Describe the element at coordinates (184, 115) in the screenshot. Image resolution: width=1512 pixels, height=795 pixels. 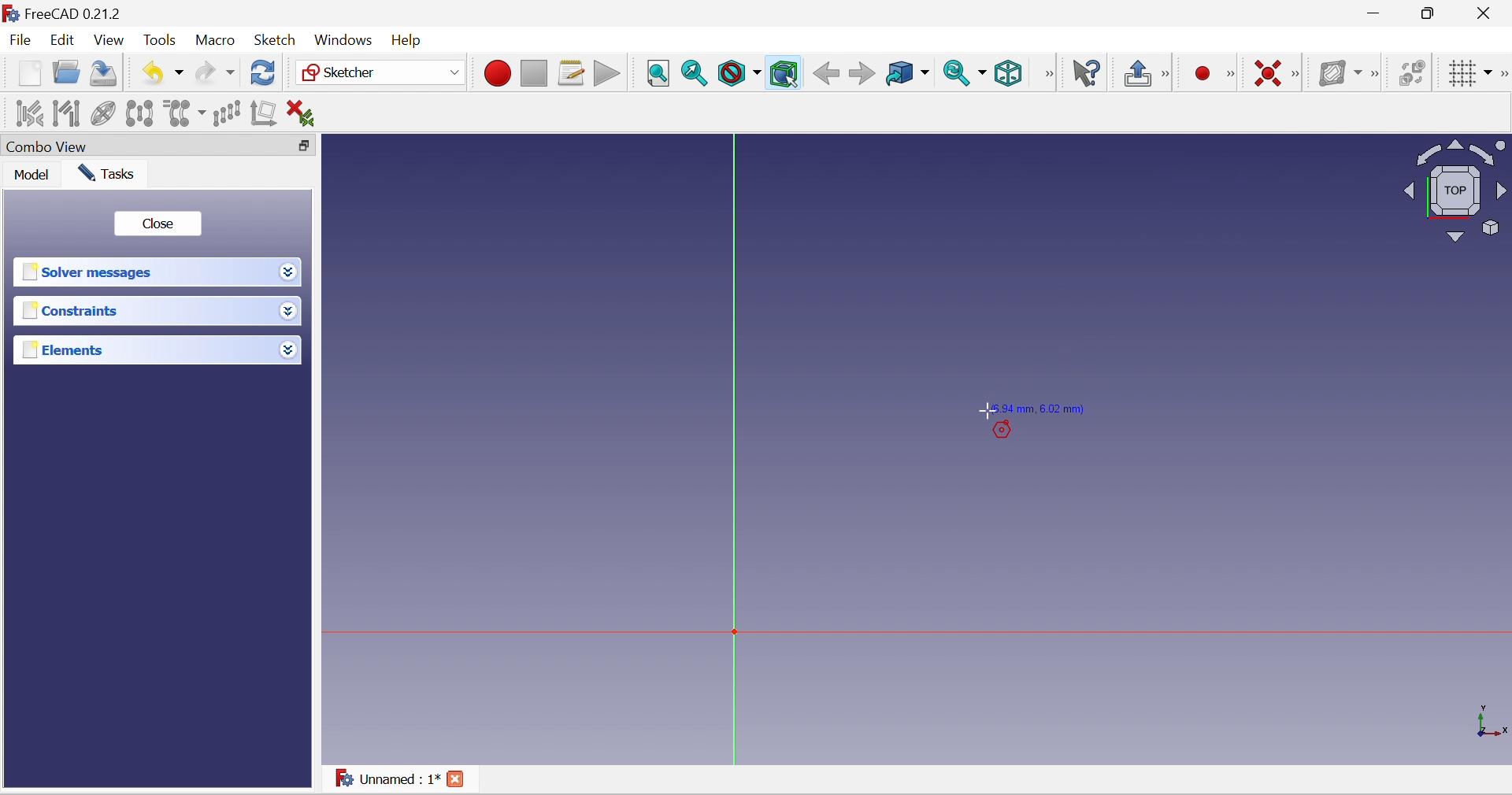
I see `Clone` at that location.